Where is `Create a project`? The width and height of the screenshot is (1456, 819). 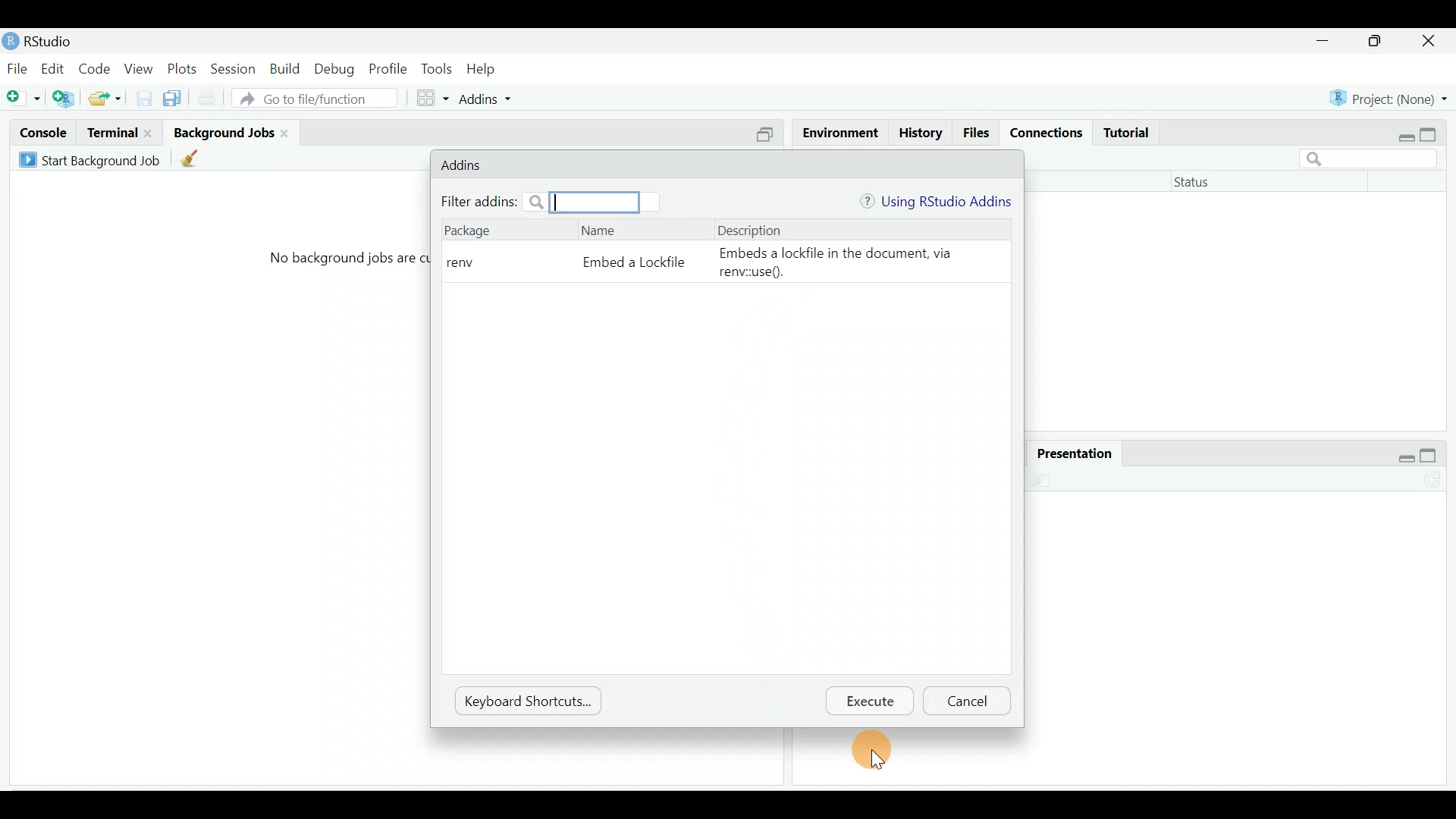
Create a project is located at coordinates (64, 98).